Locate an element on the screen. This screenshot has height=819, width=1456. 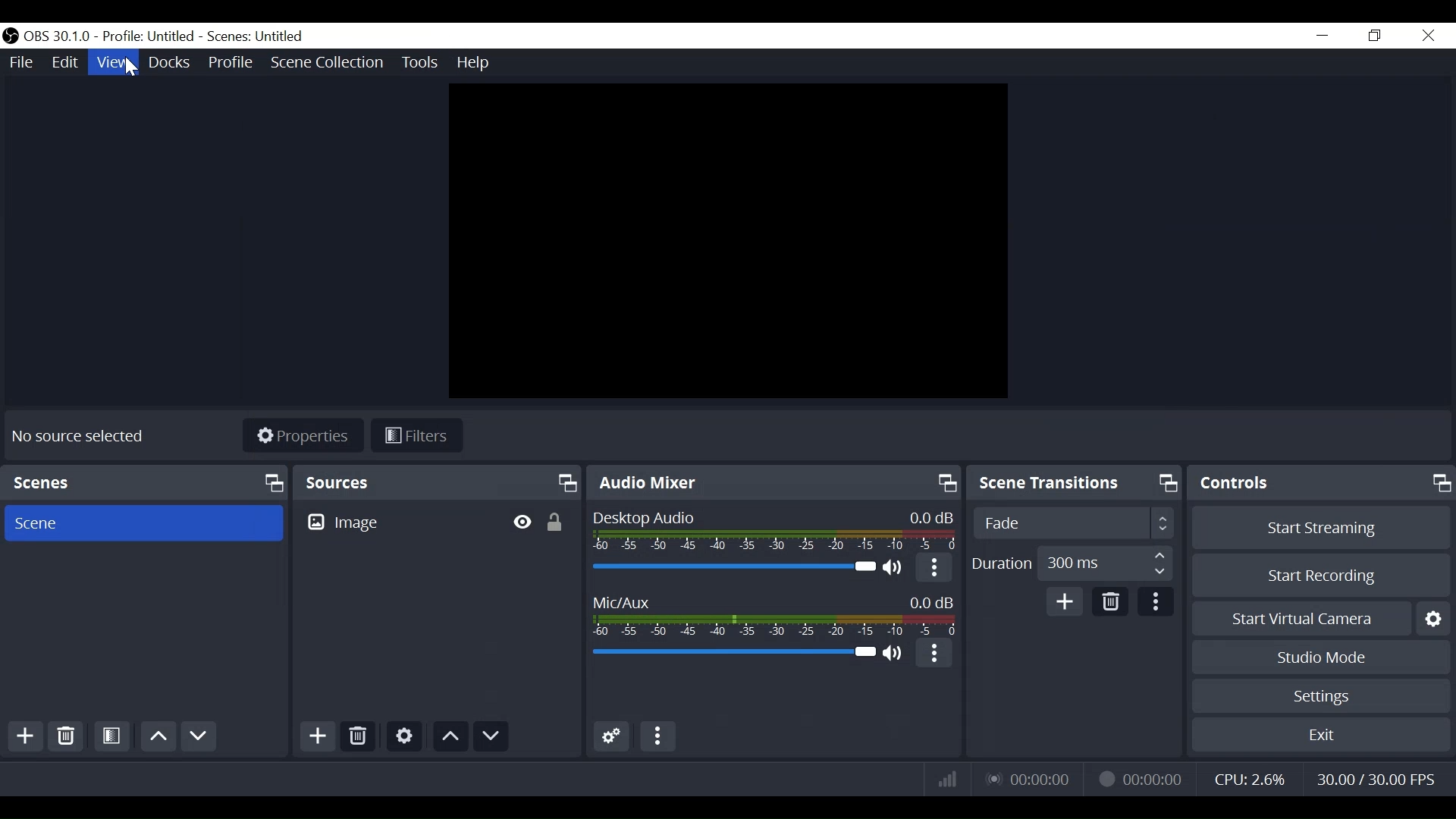
View is located at coordinates (113, 62).